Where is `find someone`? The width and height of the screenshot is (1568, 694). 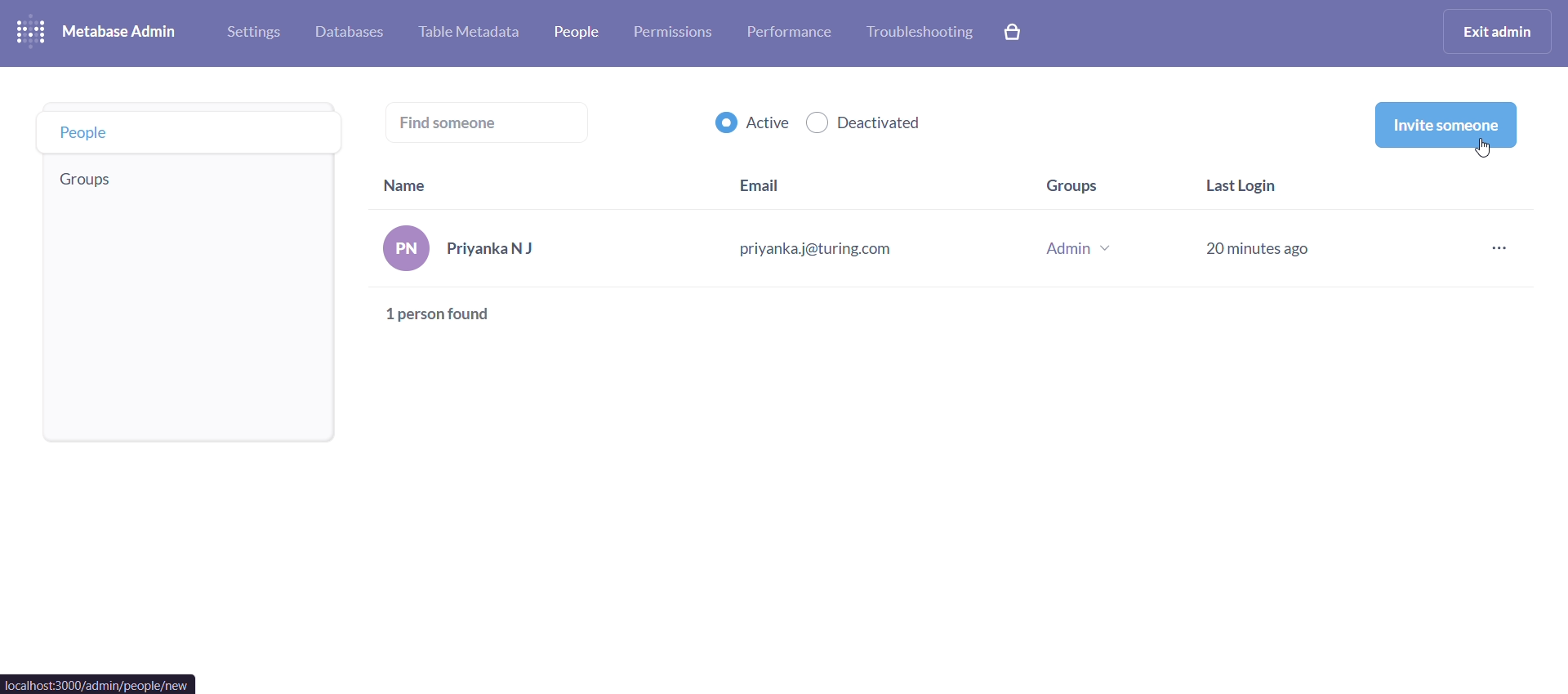 find someone is located at coordinates (490, 122).